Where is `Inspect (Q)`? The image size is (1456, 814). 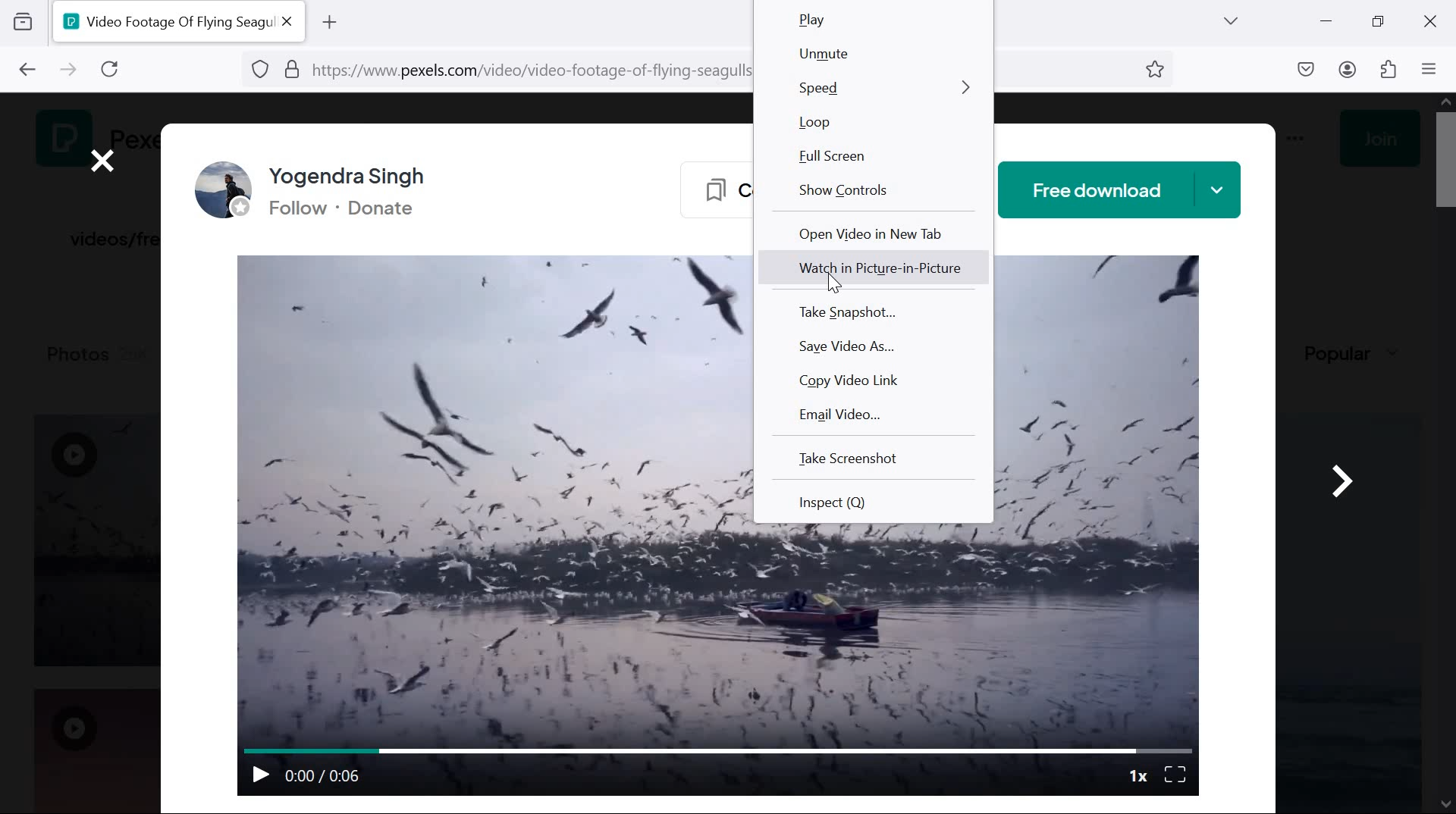 Inspect (Q) is located at coordinates (840, 505).